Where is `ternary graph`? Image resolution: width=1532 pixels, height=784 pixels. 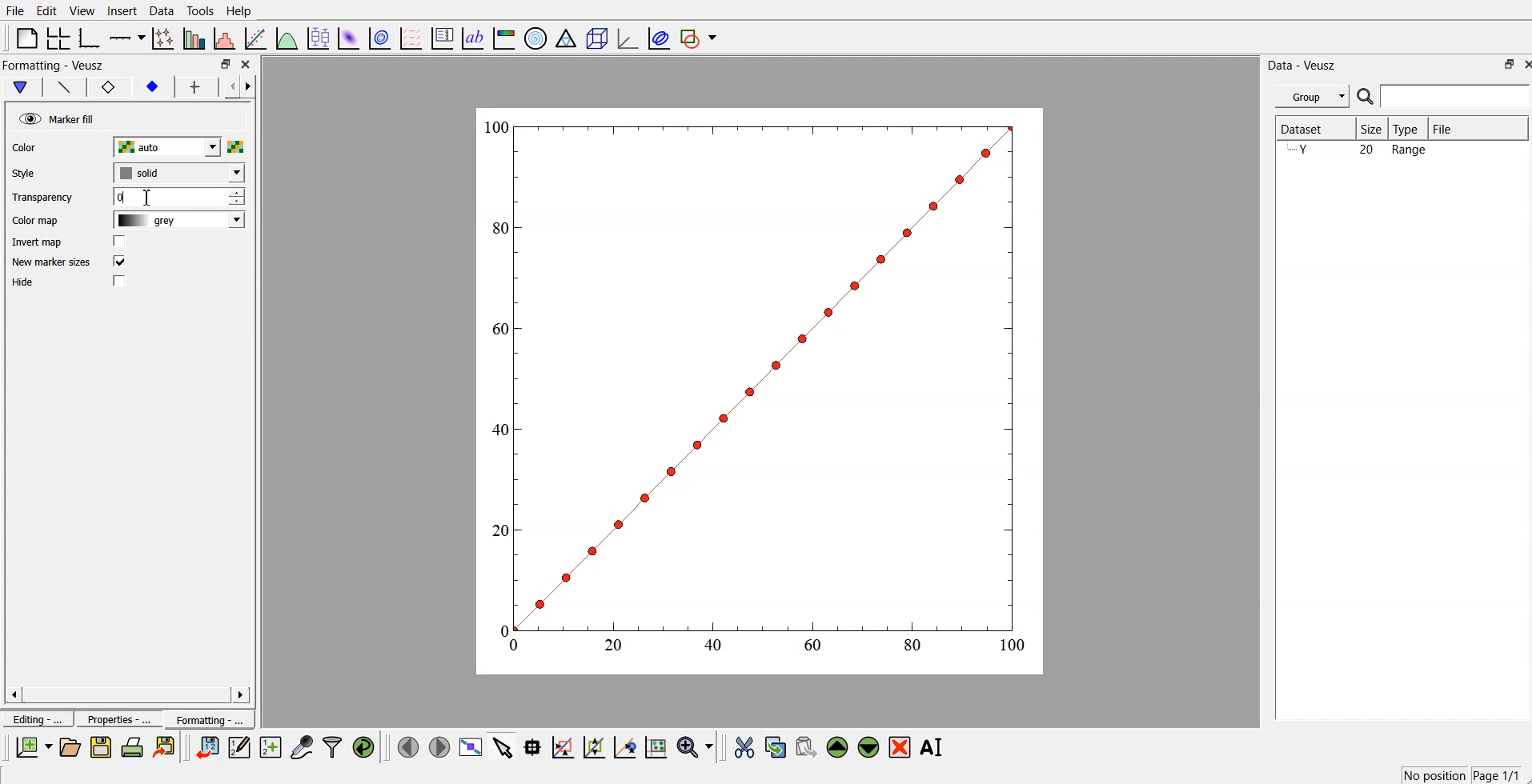
ternary graph is located at coordinates (567, 37).